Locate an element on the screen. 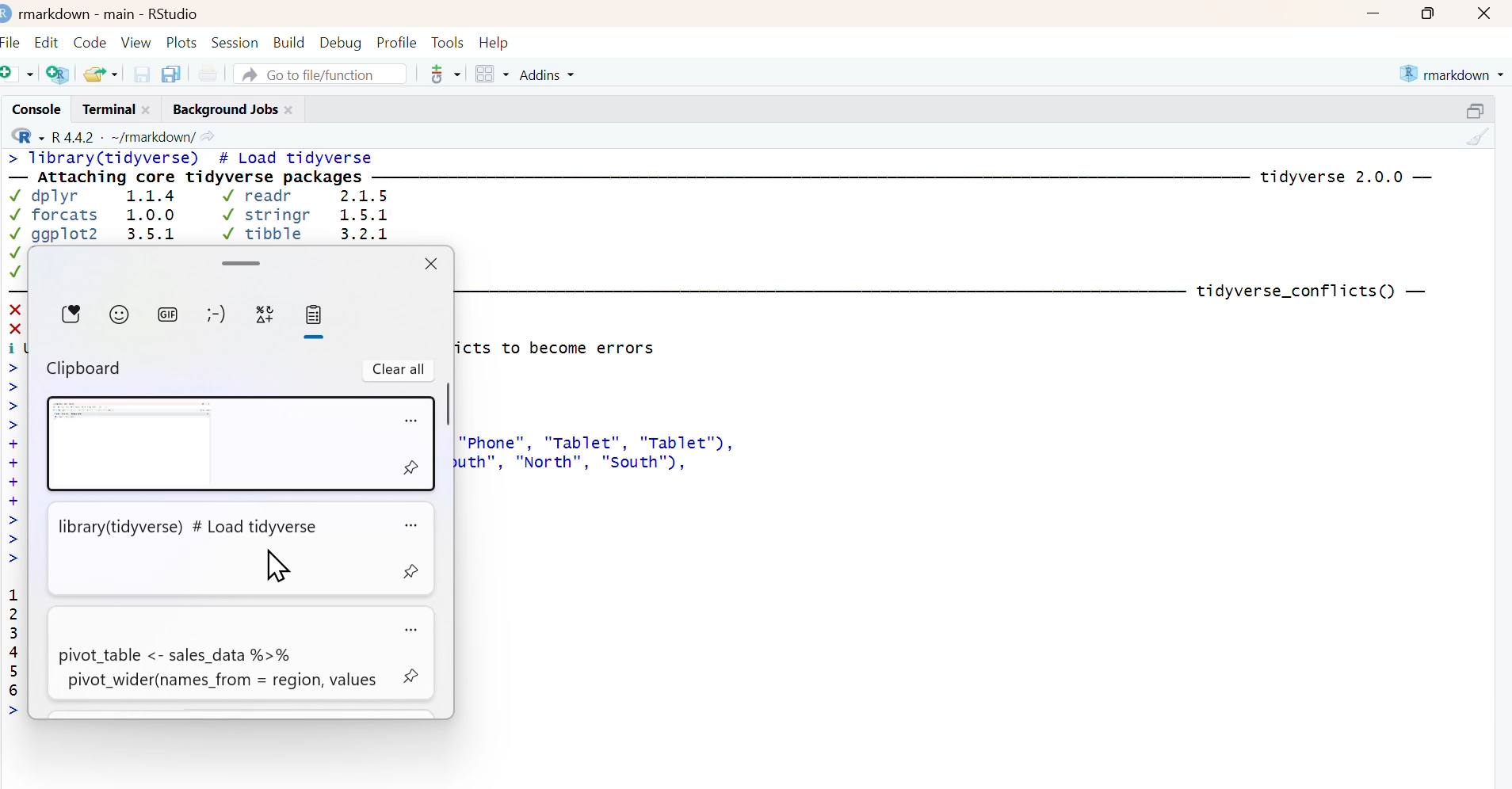 The height and width of the screenshot is (789, 1512). Session is located at coordinates (236, 40).